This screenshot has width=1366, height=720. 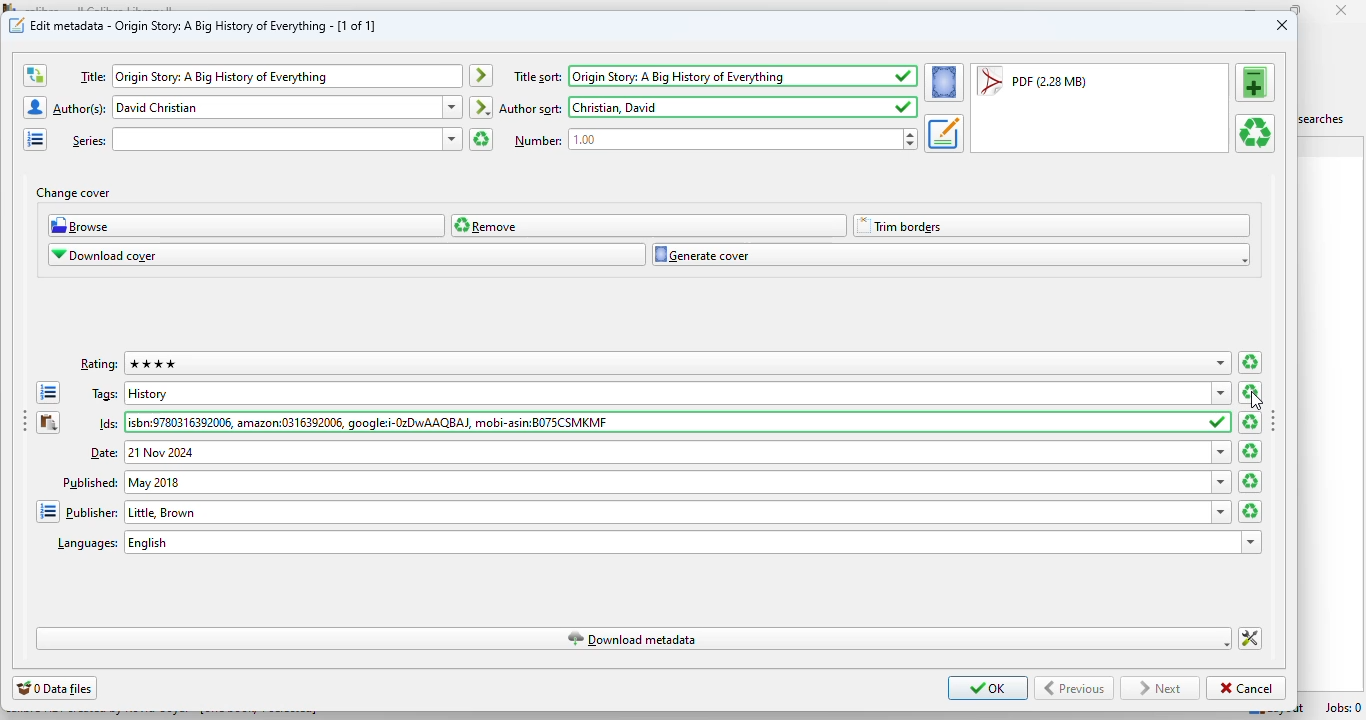 I want to click on rating: 4 stars, so click(x=666, y=363).